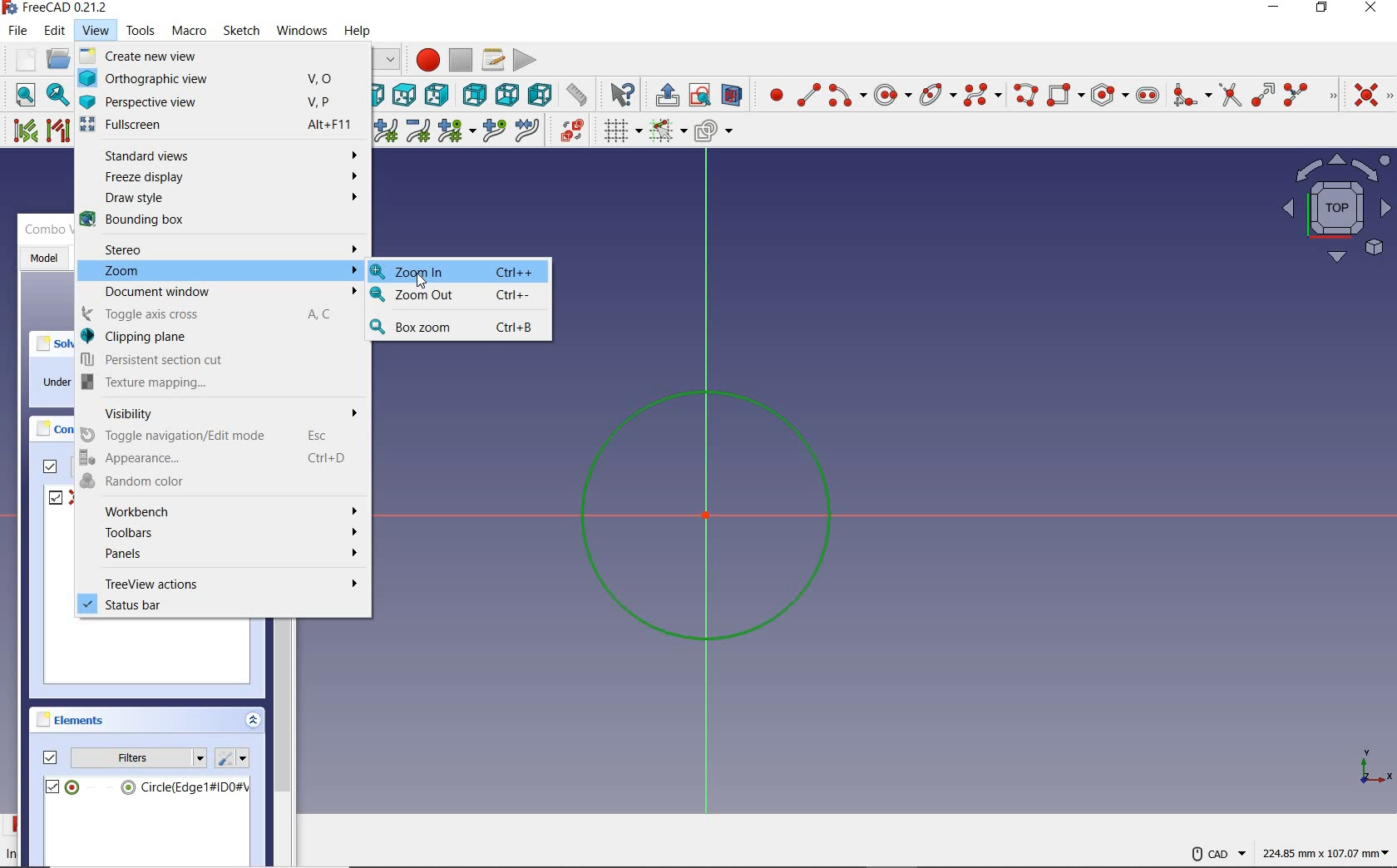 Image resolution: width=1397 pixels, height=868 pixels. What do you see at coordinates (1109, 94) in the screenshot?
I see `create regular polygon` at bounding box center [1109, 94].